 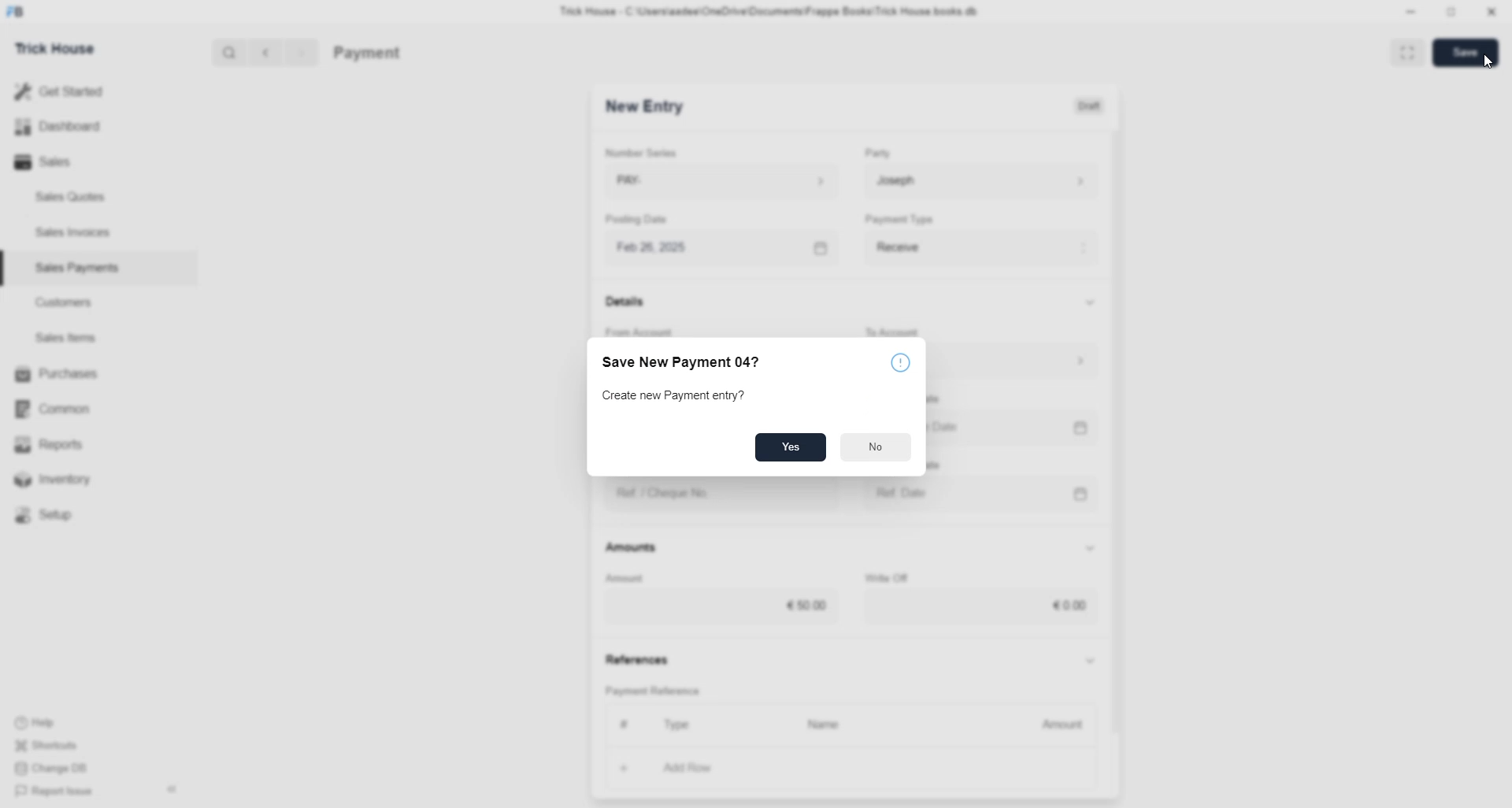 I want to click on Write Off, so click(x=885, y=578).